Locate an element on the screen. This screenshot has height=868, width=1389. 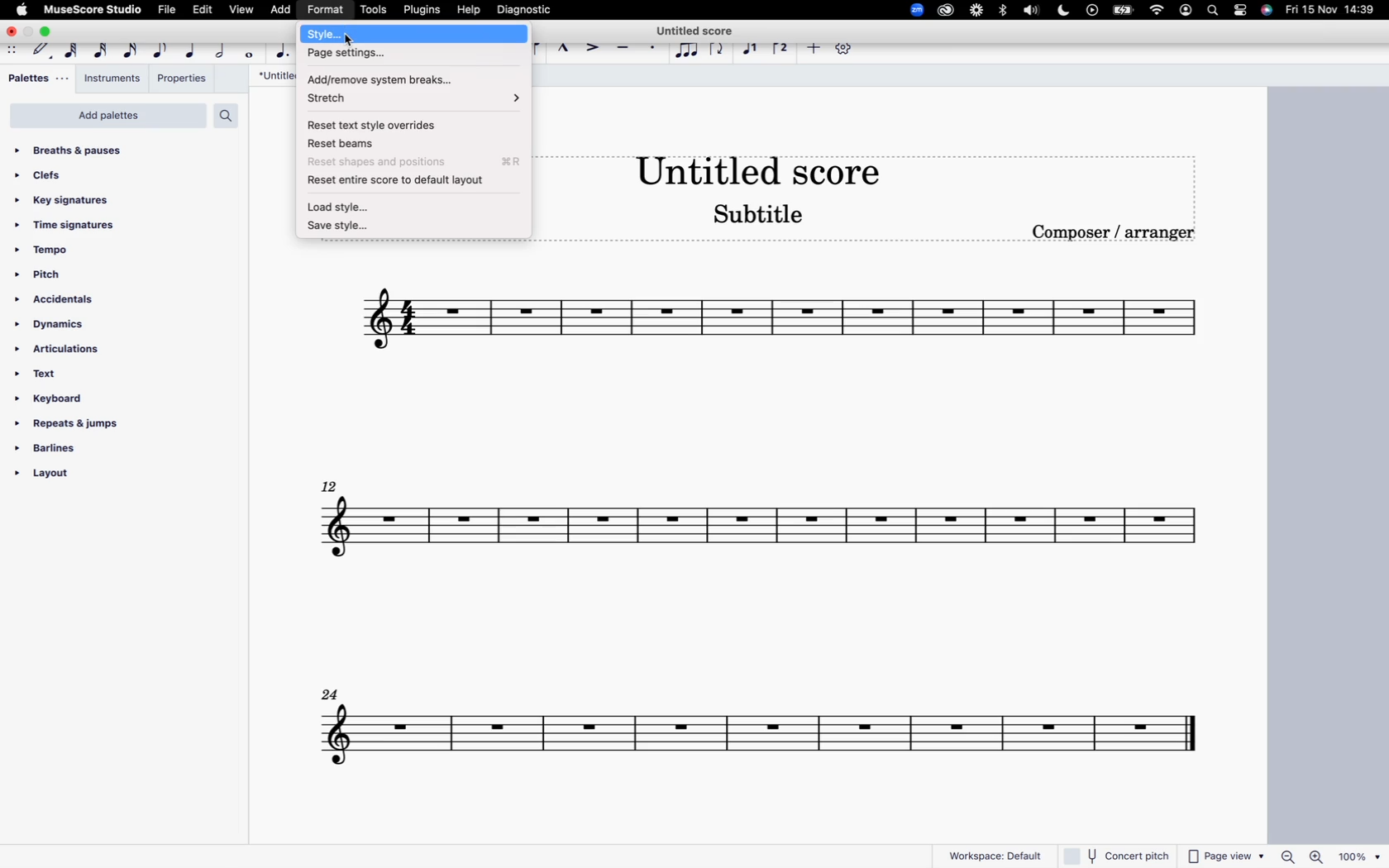
musescore studio is located at coordinates (93, 12).